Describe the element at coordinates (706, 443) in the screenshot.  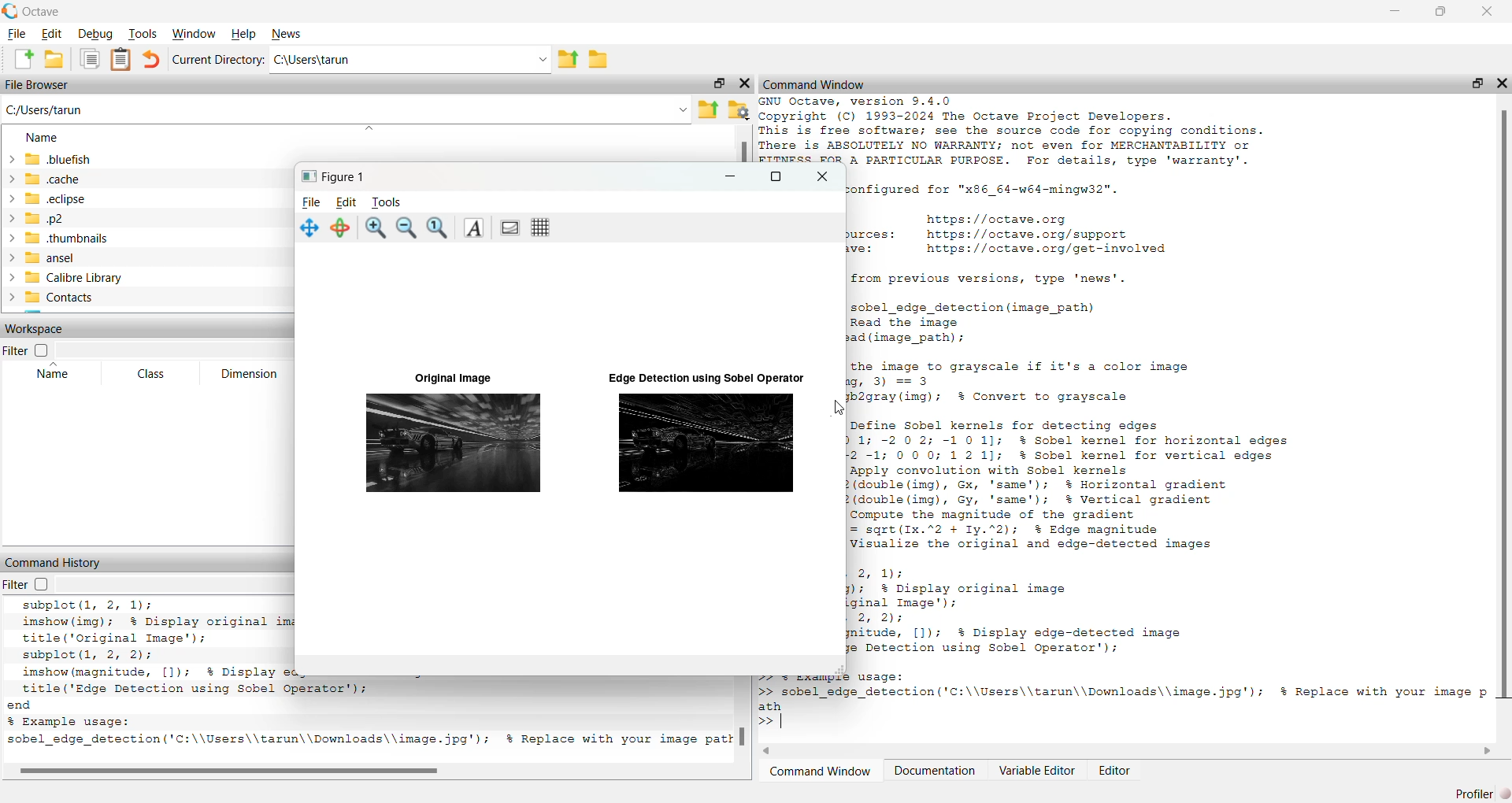
I see `image` at that location.